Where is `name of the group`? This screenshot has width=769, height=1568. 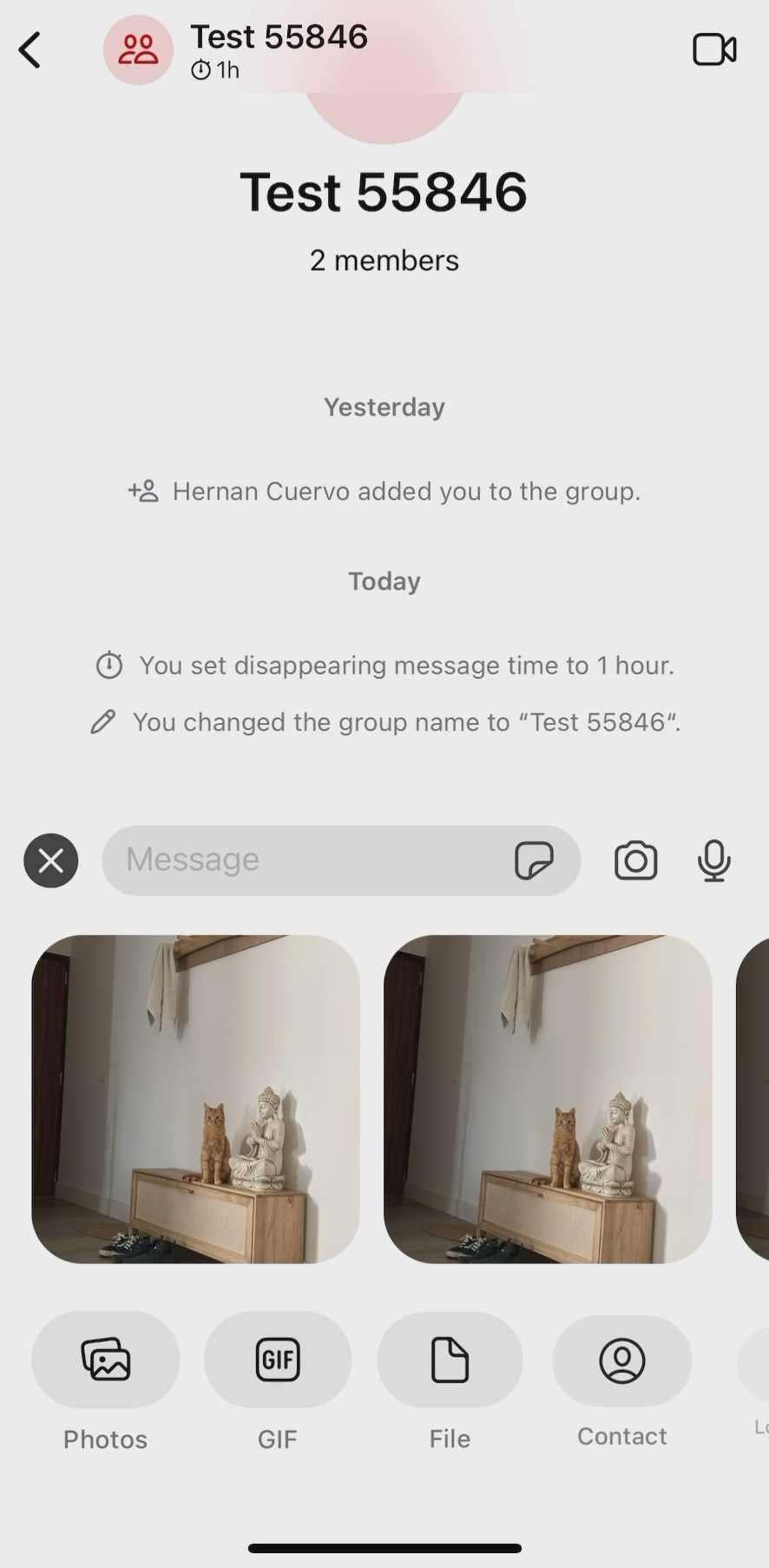 name of the group is located at coordinates (240, 47).